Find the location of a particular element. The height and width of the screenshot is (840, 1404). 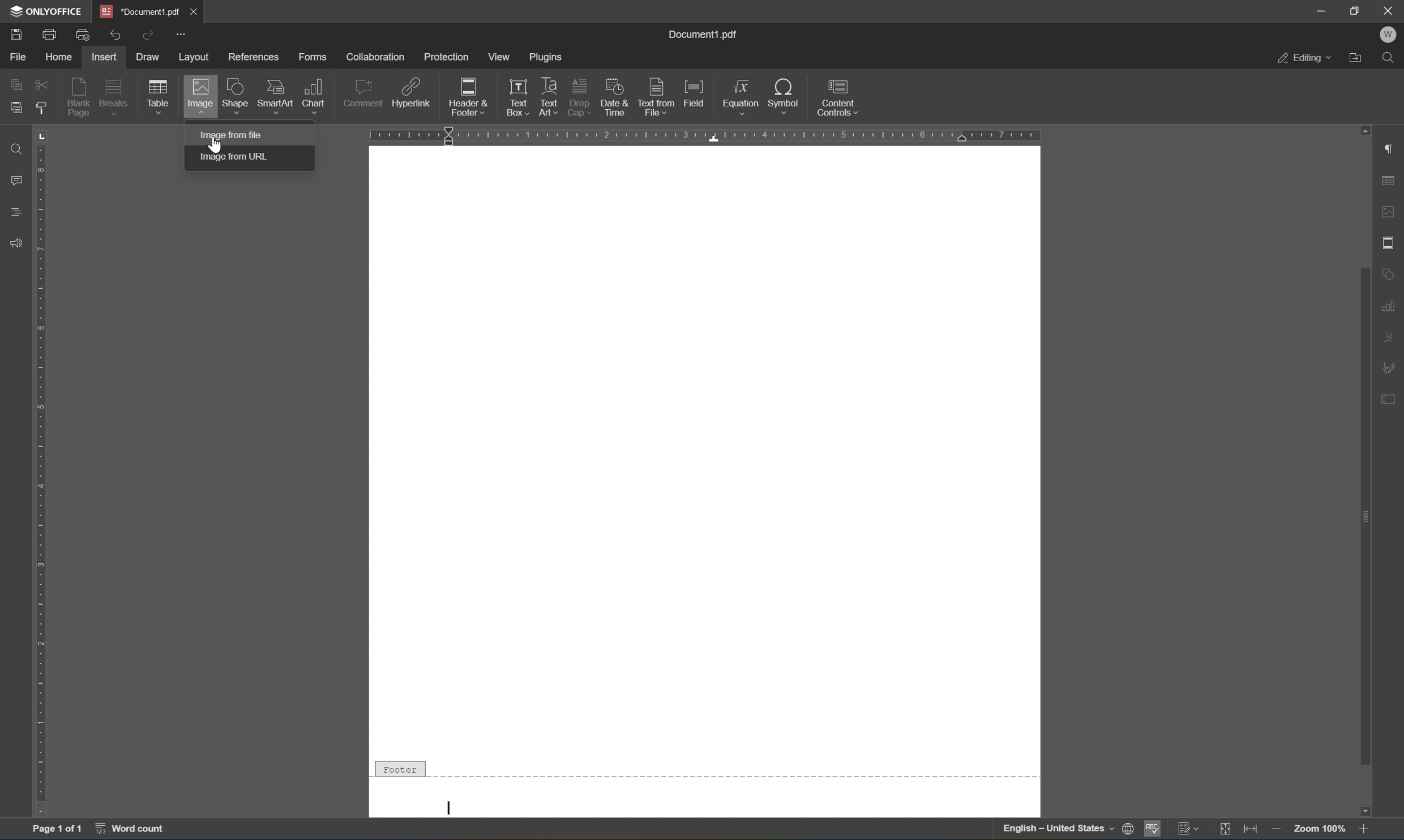

zoom 100% is located at coordinates (1318, 829).